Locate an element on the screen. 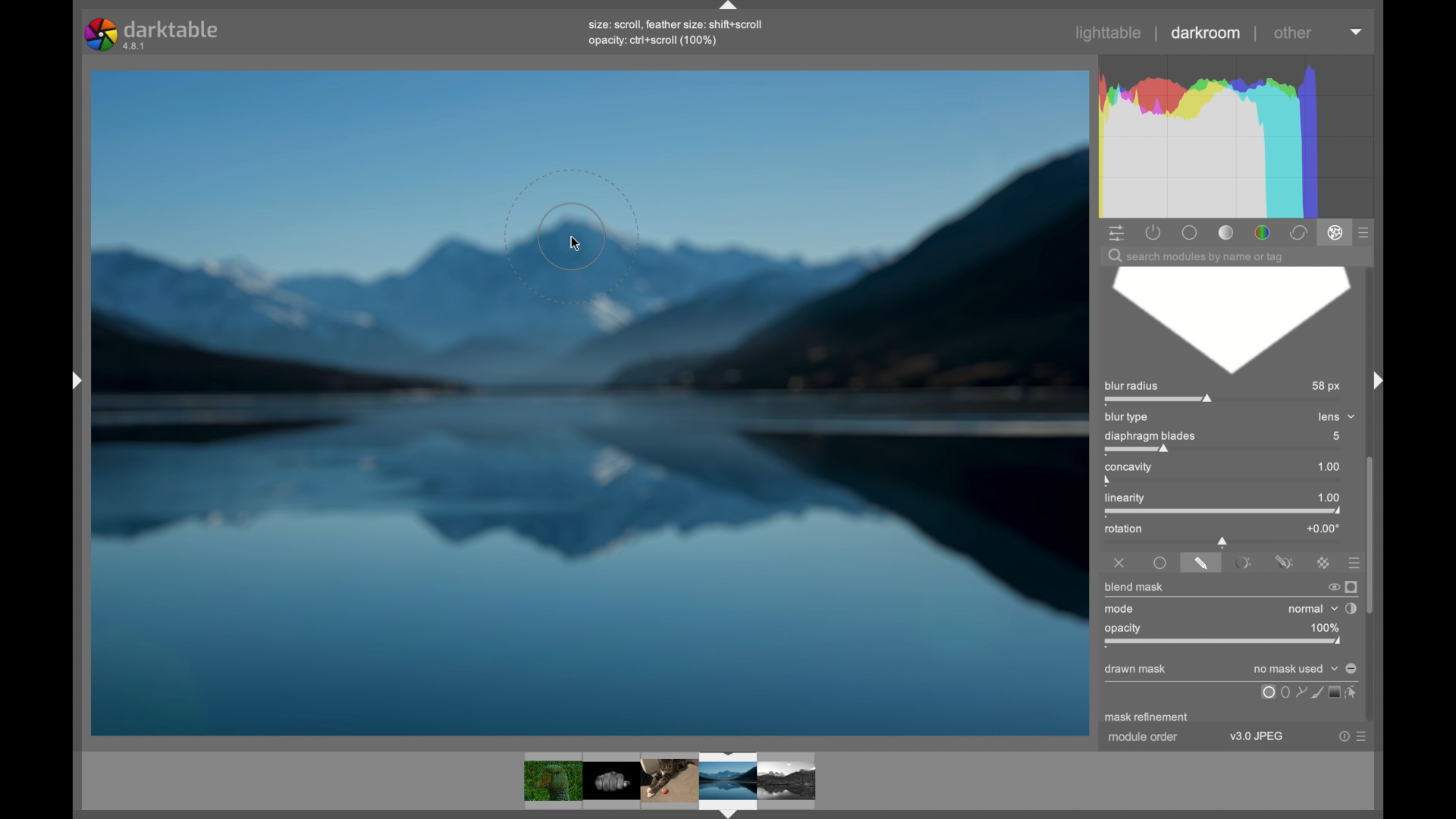 This screenshot has width=1456, height=819. concavity is located at coordinates (1126, 472).